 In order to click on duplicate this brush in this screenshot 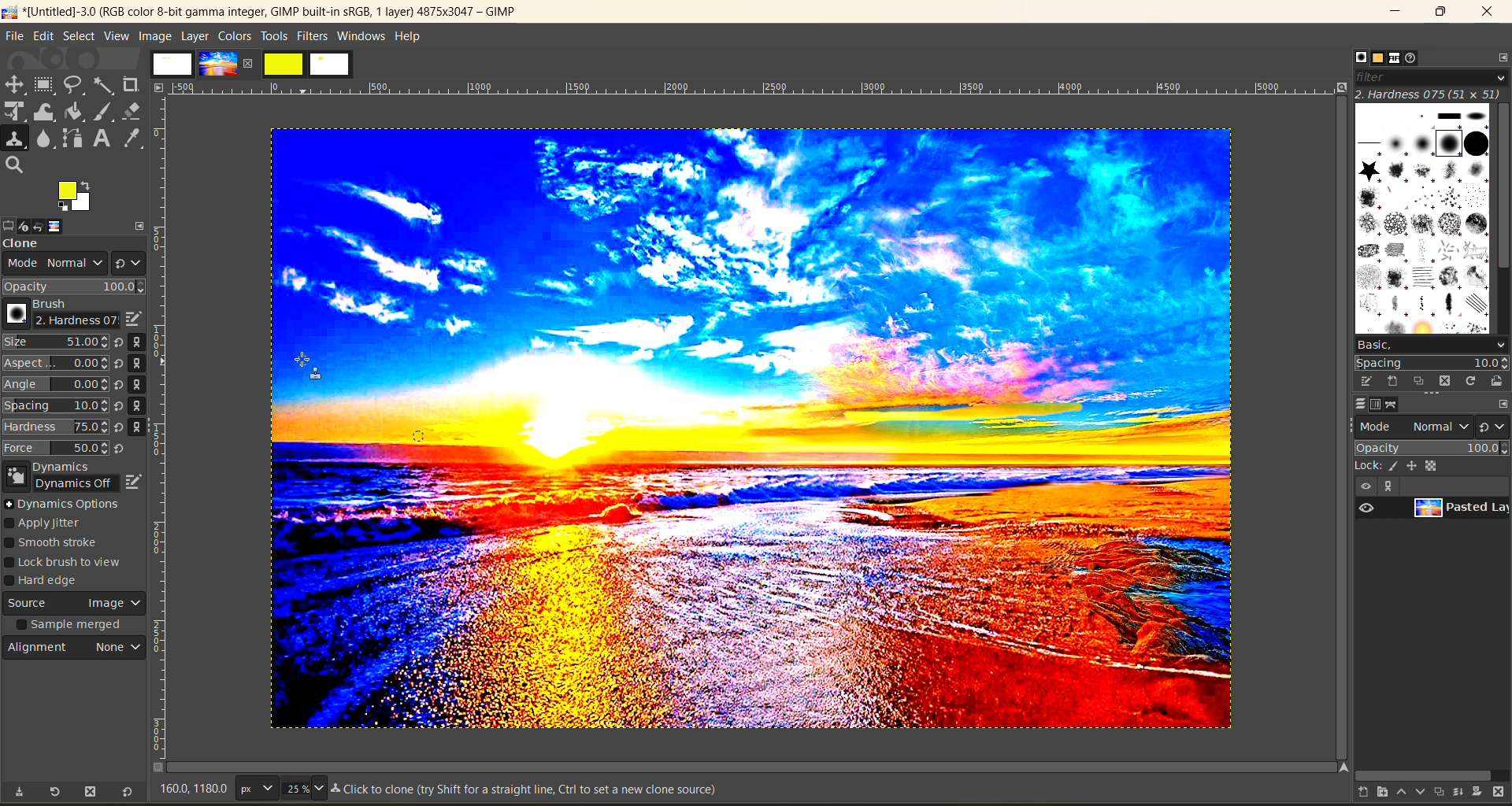, I will do `click(1420, 382)`.